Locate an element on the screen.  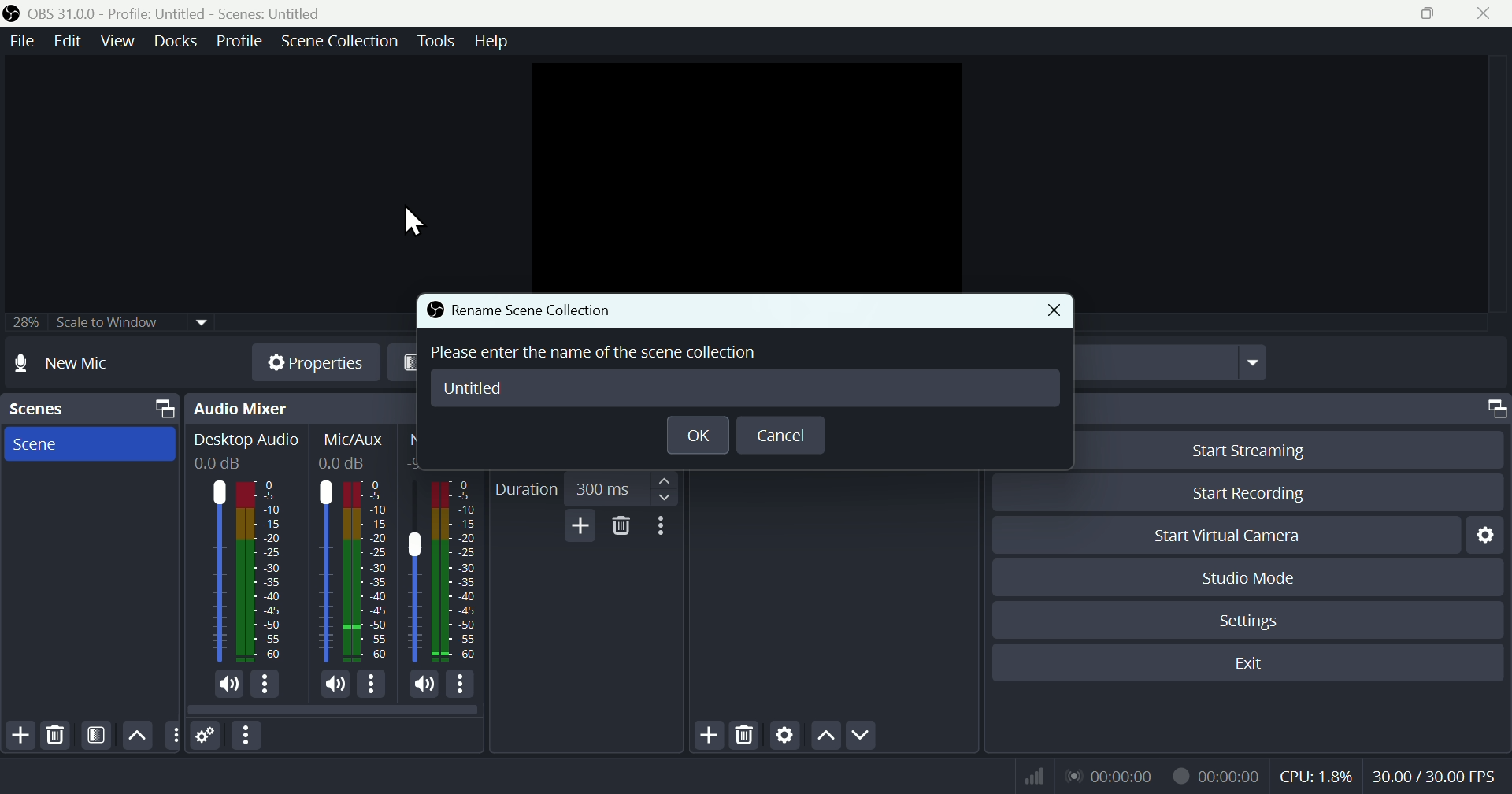
Tools is located at coordinates (437, 44).